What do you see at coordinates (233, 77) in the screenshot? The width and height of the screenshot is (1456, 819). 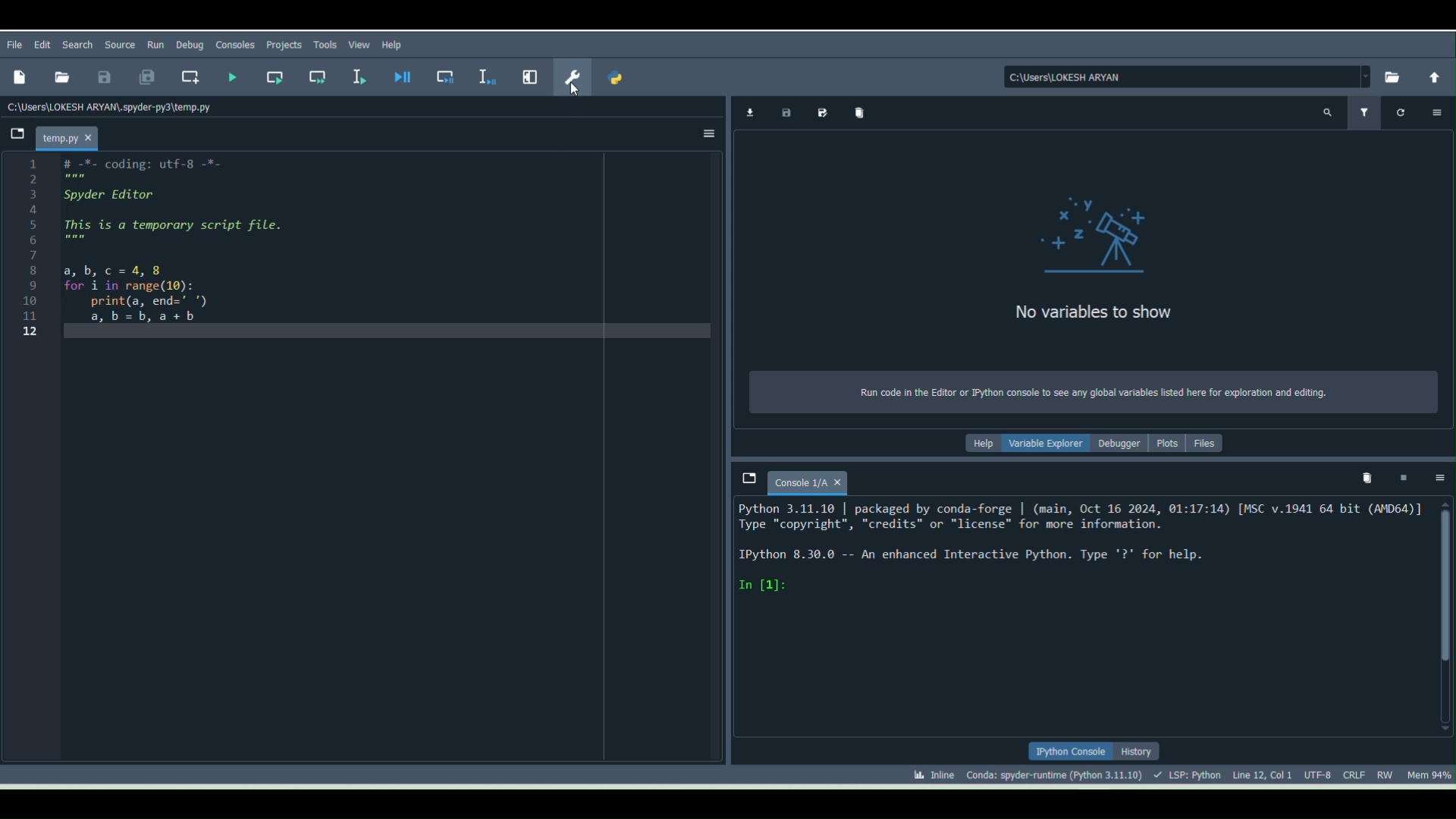 I see `Run file (F5)` at bounding box center [233, 77].